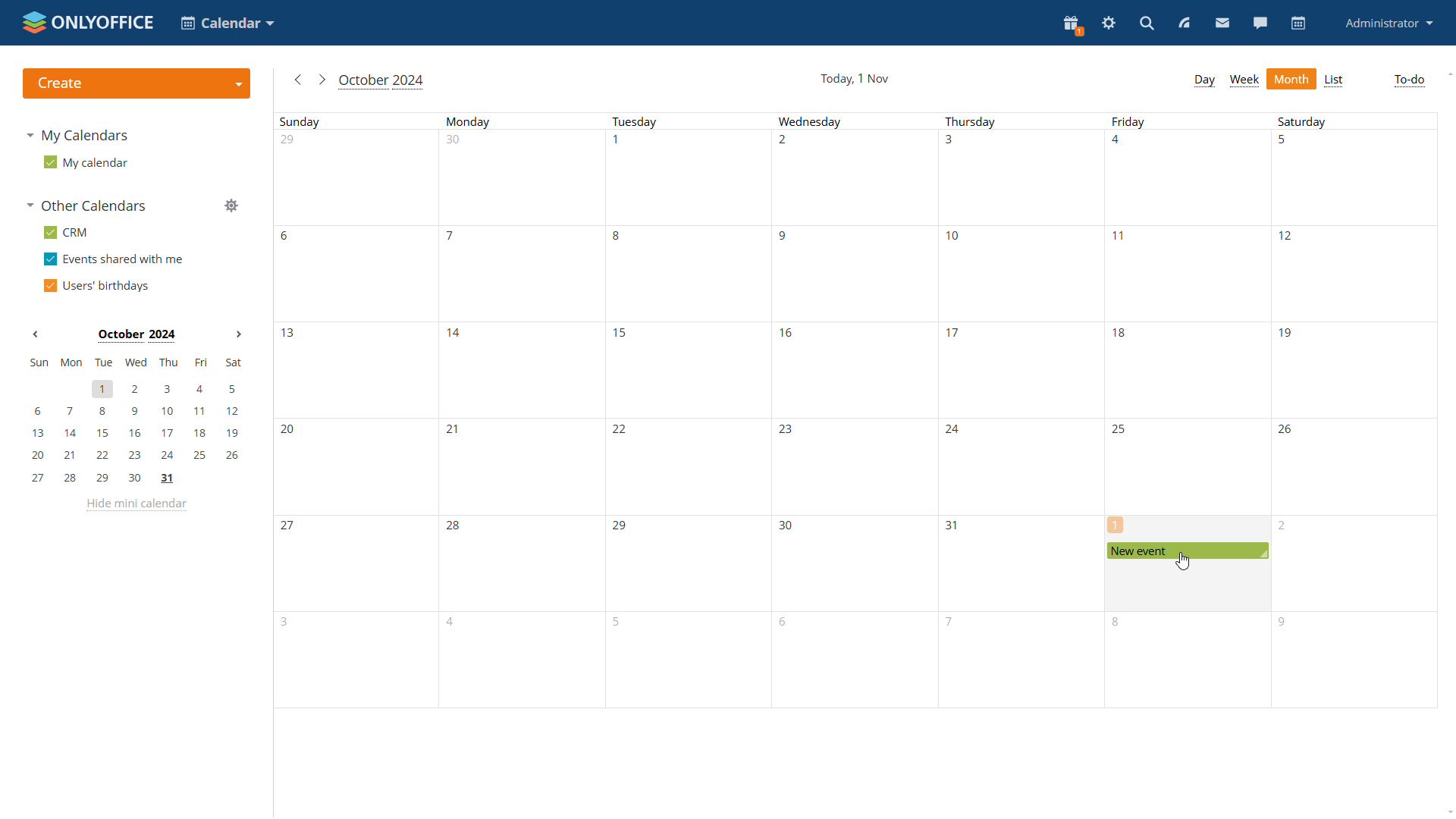  Describe the element at coordinates (1449, 75) in the screenshot. I see `scroll up` at that location.